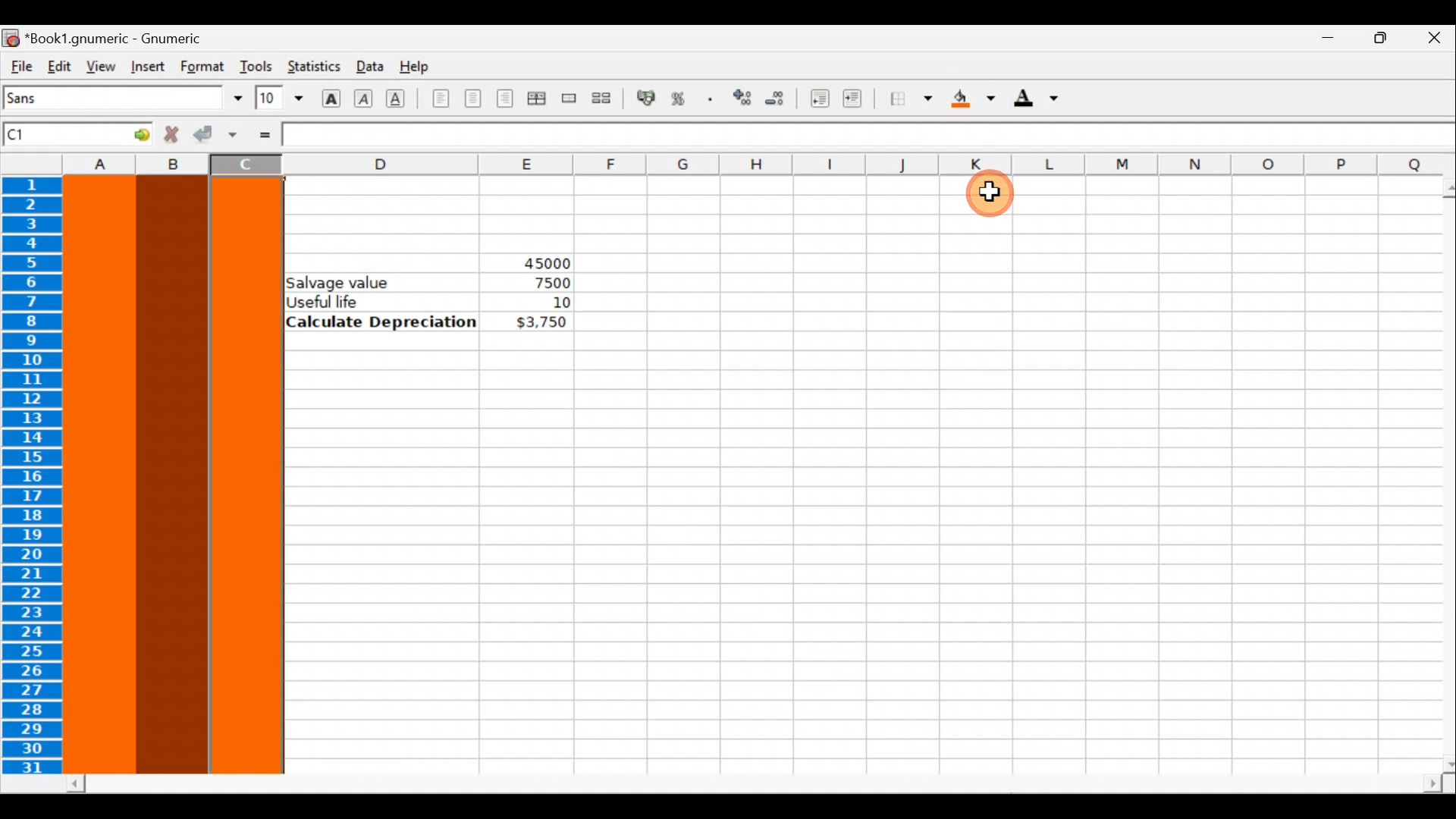 The height and width of the screenshot is (819, 1456). Describe the element at coordinates (347, 281) in the screenshot. I see `Salvage value` at that location.